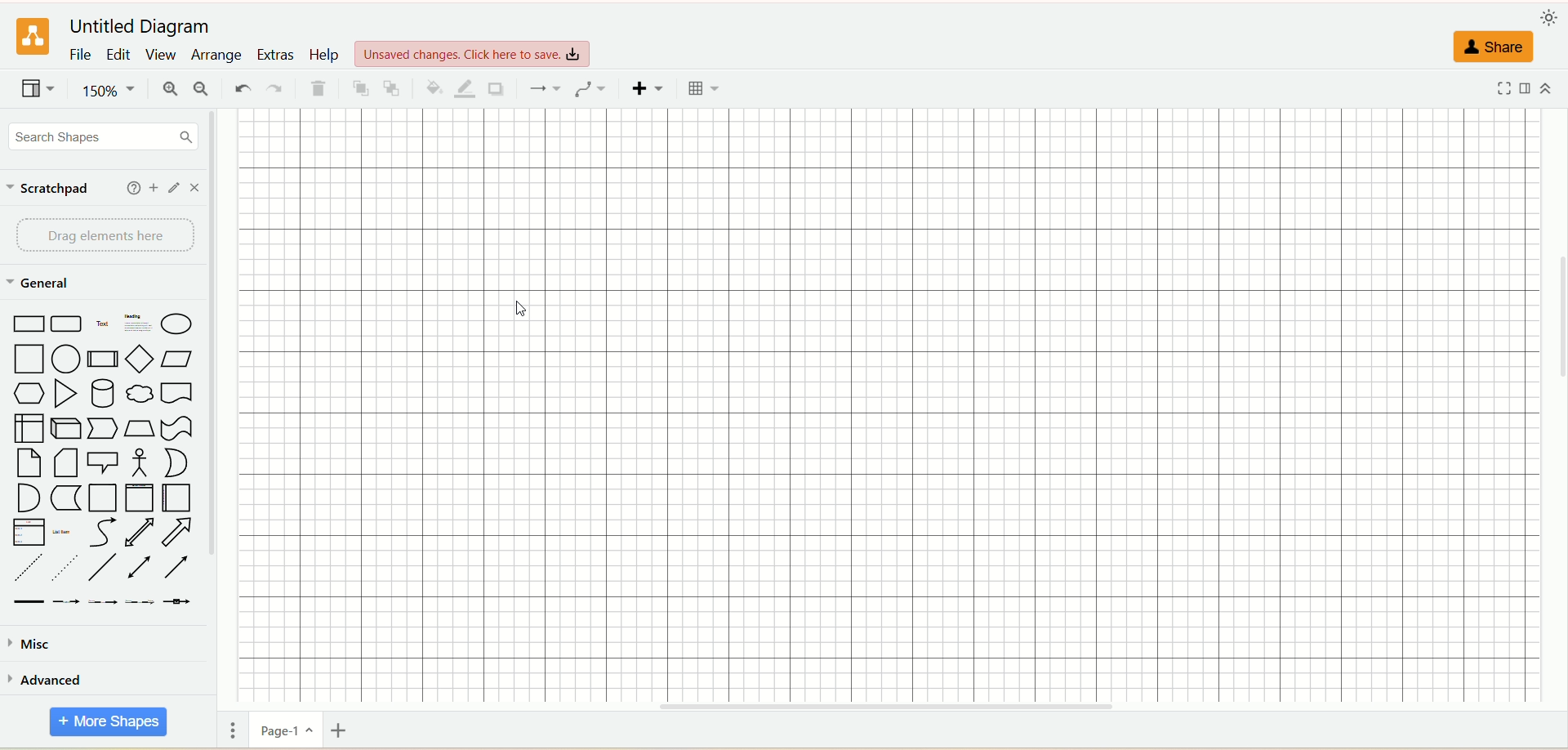 This screenshot has width=1568, height=750. I want to click on list items, so click(64, 532).